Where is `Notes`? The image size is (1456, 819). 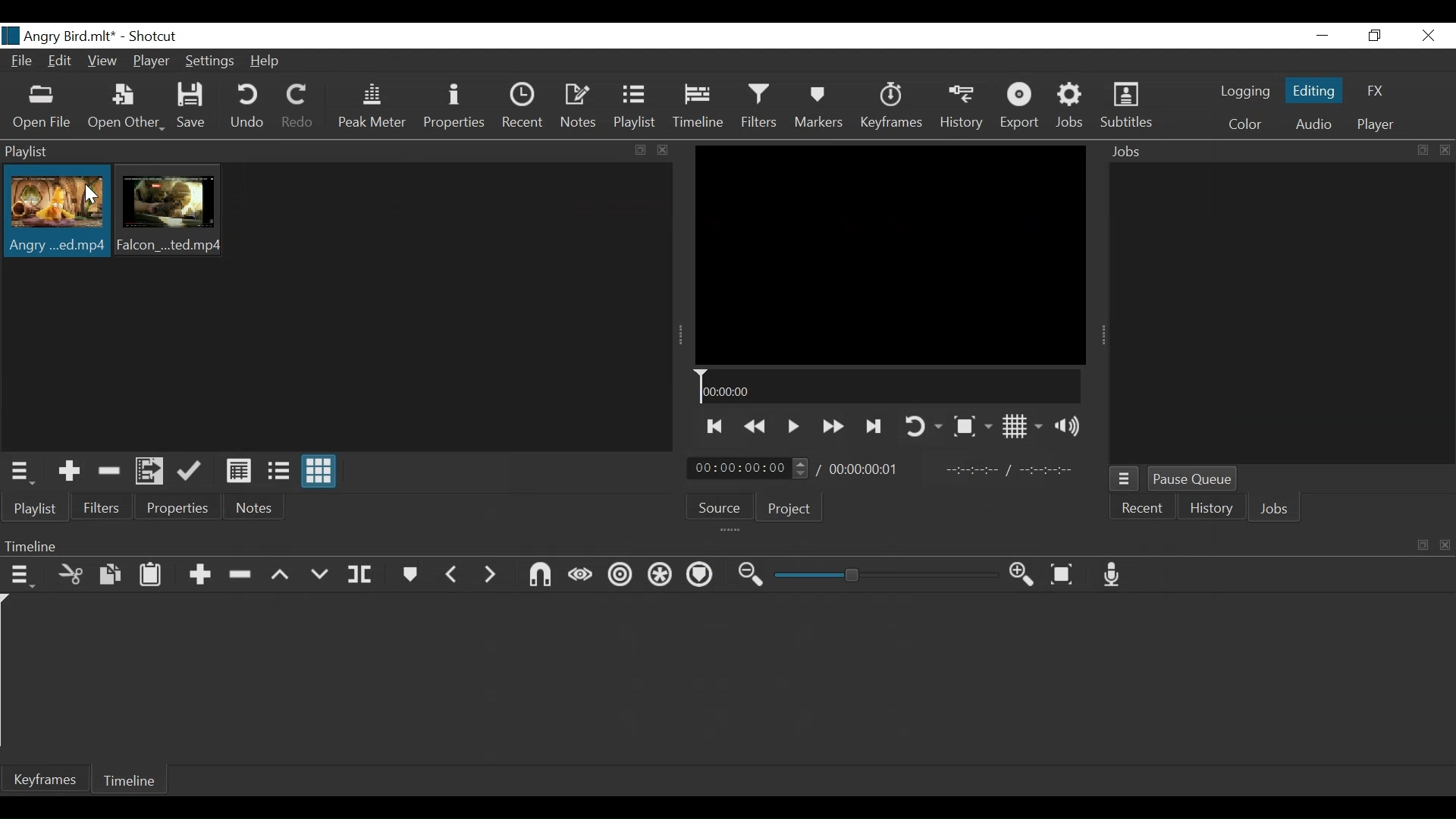 Notes is located at coordinates (579, 108).